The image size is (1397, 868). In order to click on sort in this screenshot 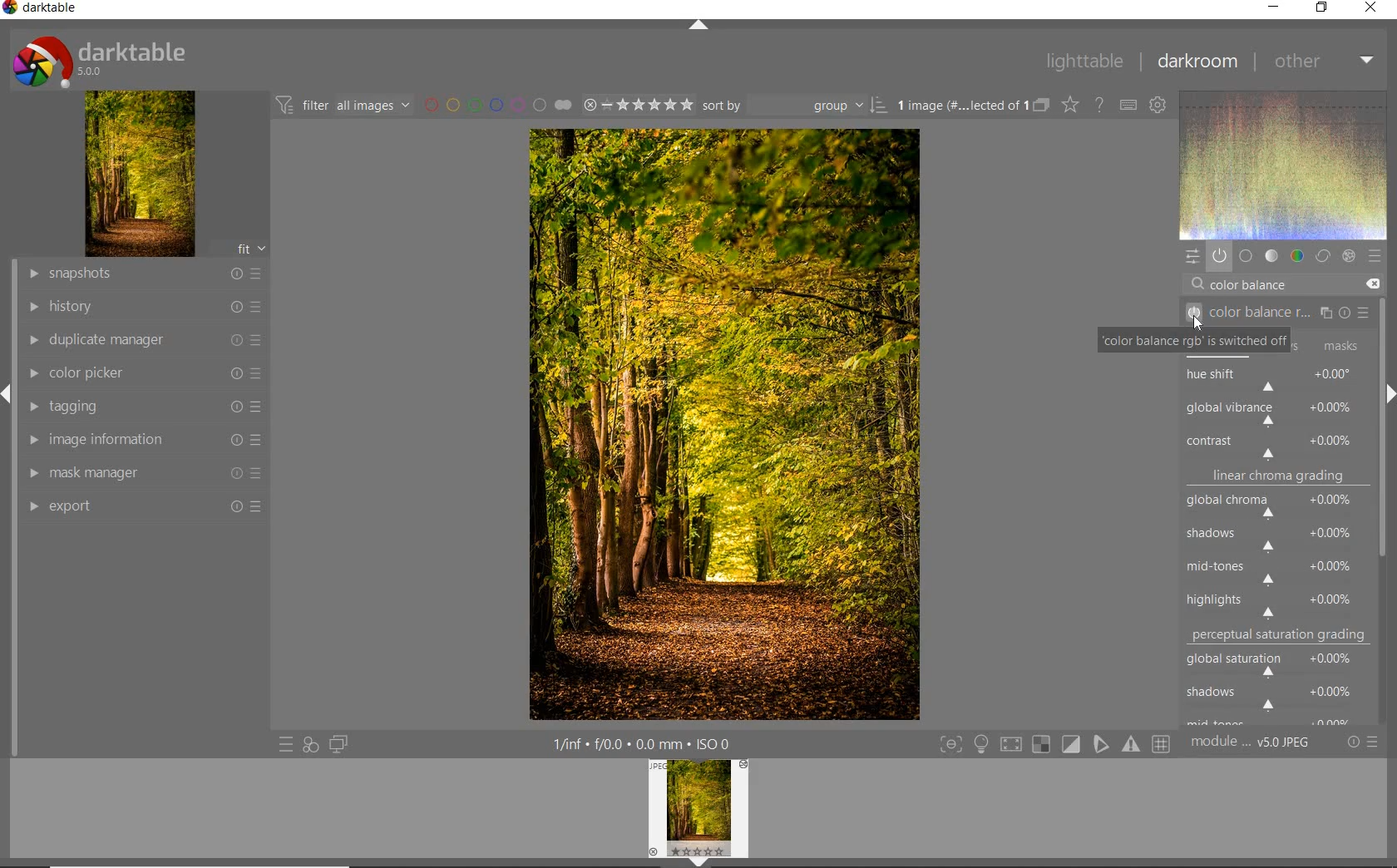, I will do `click(794, 106)`.